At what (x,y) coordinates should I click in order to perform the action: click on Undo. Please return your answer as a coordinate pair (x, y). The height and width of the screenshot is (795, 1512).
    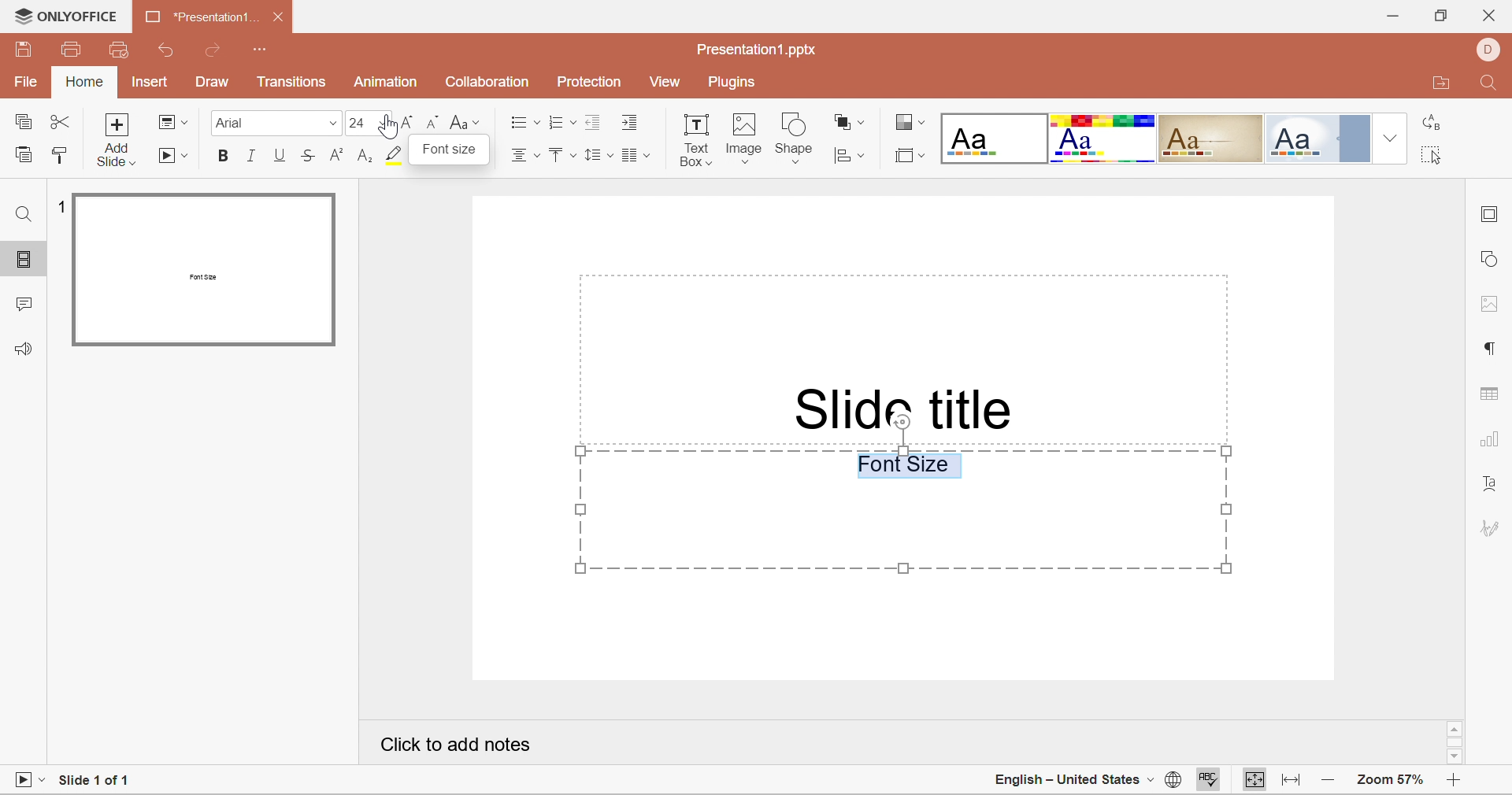
    Looking at the image, I should click on (171, 52).